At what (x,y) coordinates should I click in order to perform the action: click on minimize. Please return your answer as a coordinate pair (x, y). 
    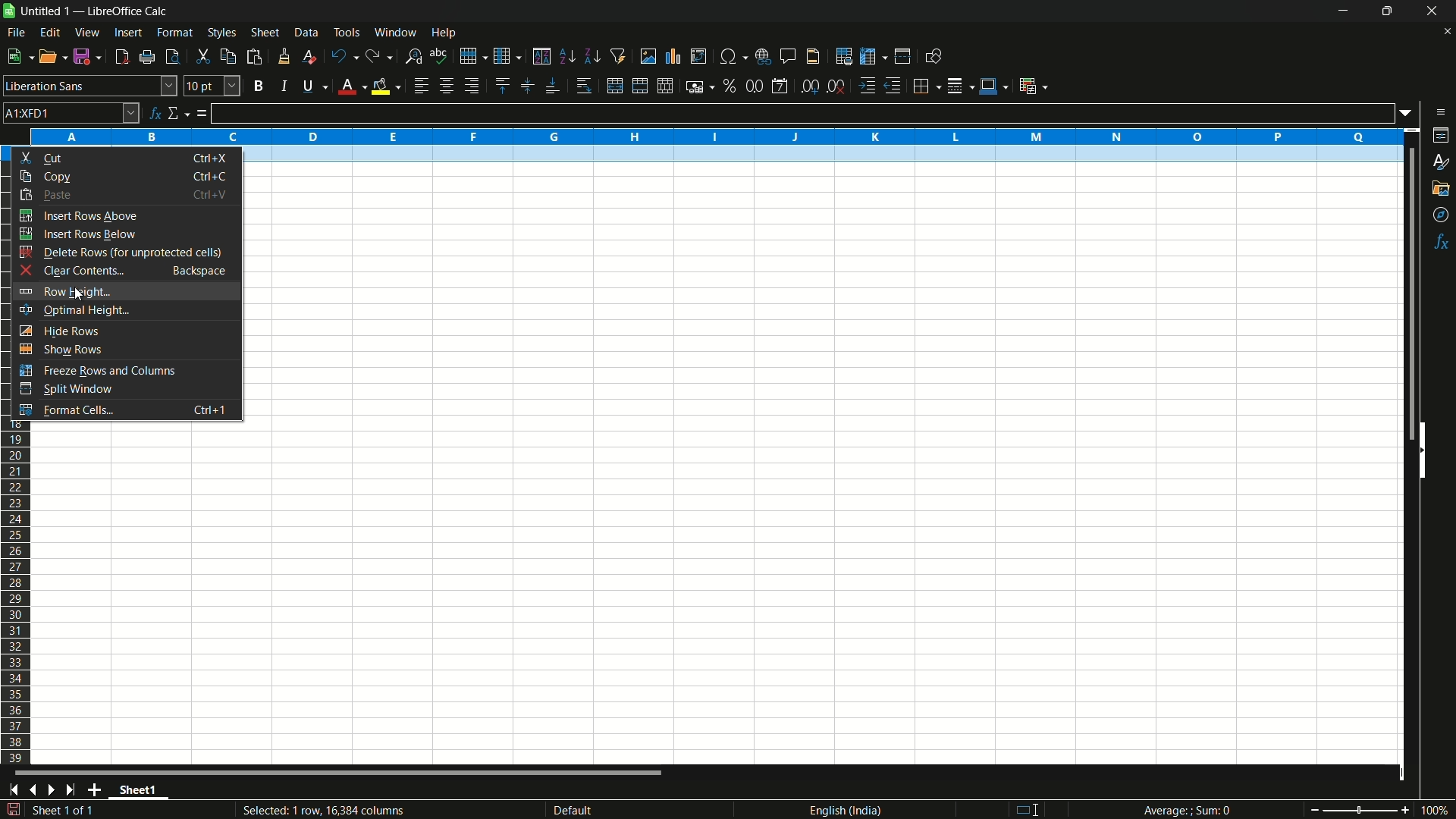
    Looking at the image, I should click on (1343, 11).